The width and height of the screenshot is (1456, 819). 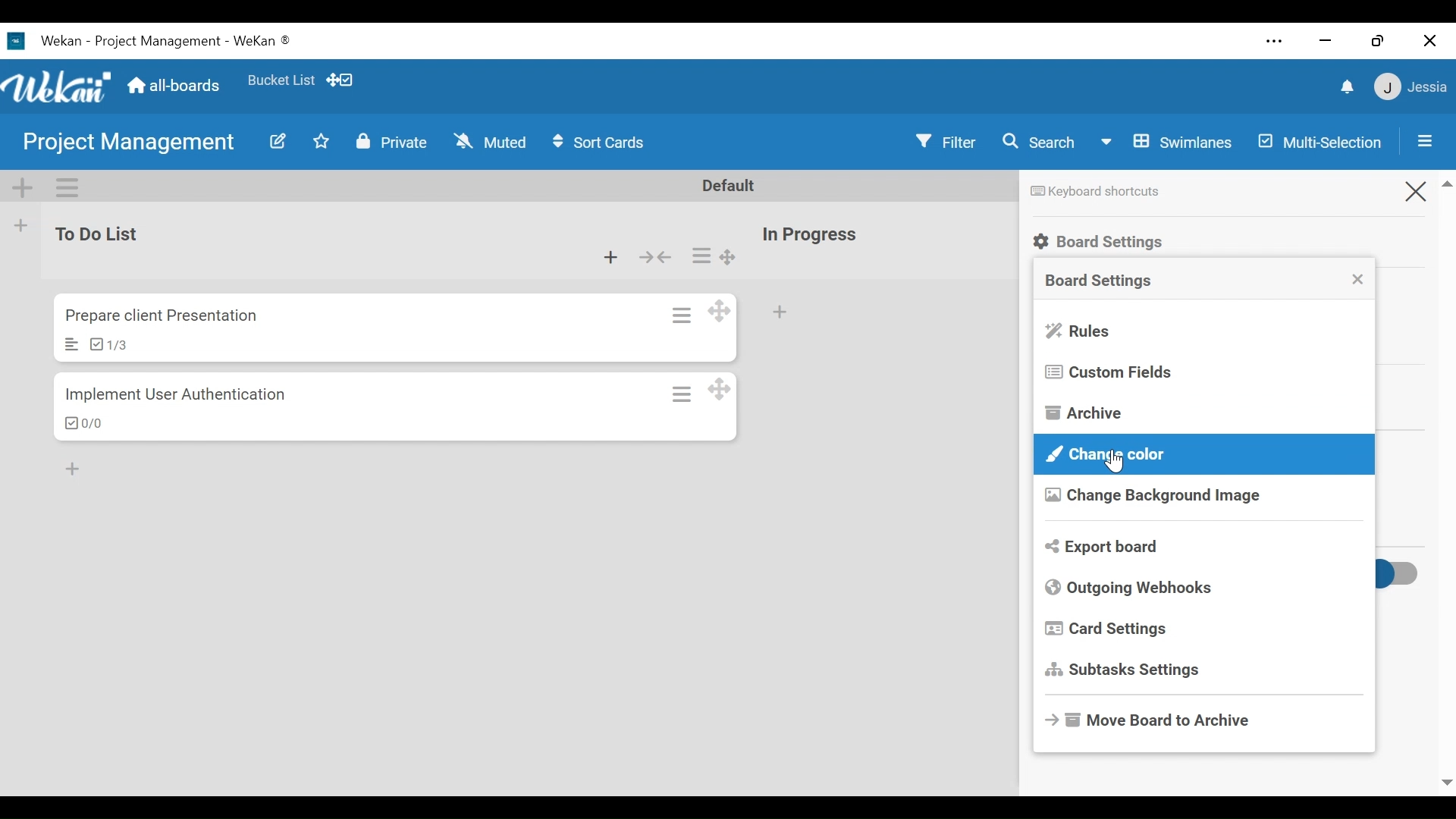 What do you see at coordinates (1408, 87) in the screenshot?
I see `member` at bounding box center [1408, 87].